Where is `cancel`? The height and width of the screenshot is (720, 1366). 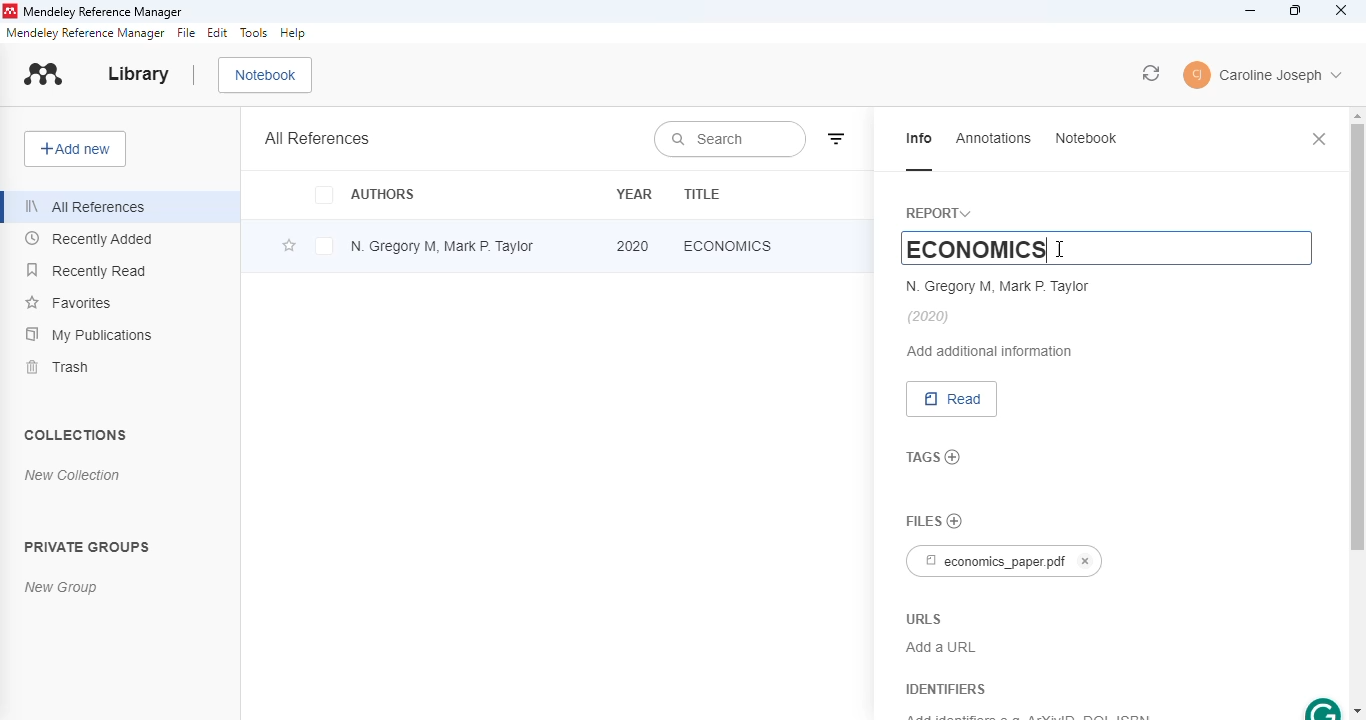 cancel is located at coordinates (1087, 561).